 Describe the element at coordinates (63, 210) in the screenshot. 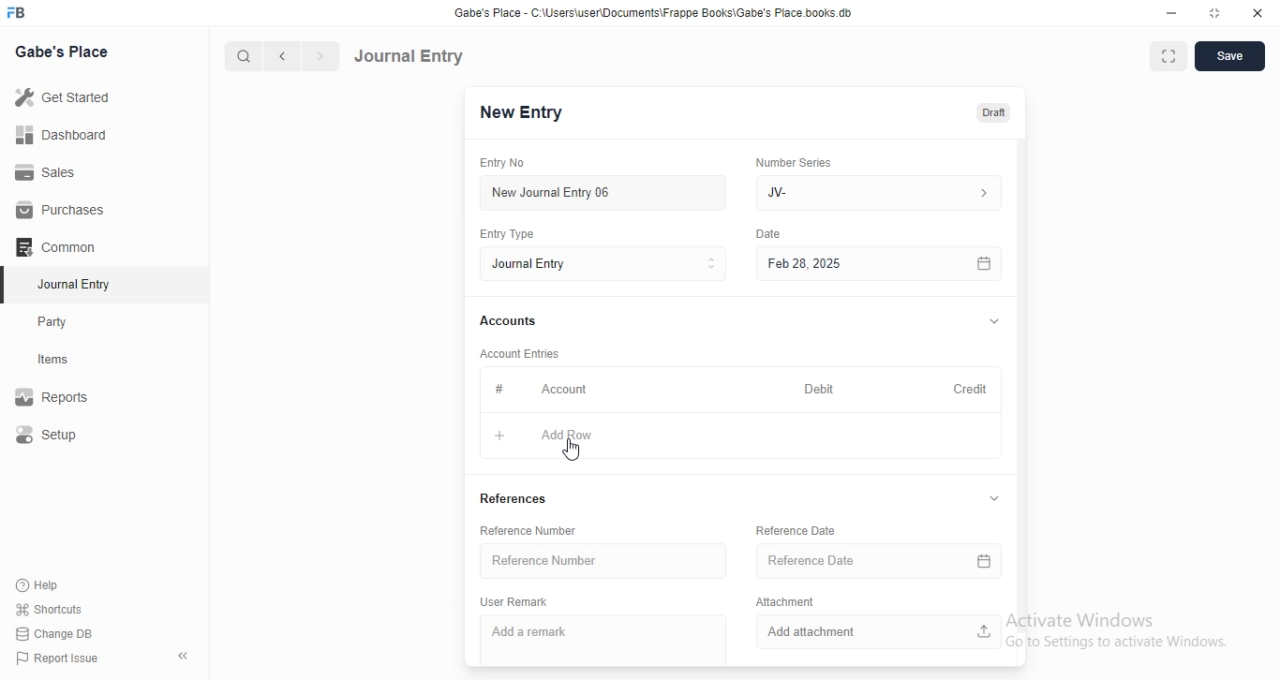

I see `Purchases` at that location.